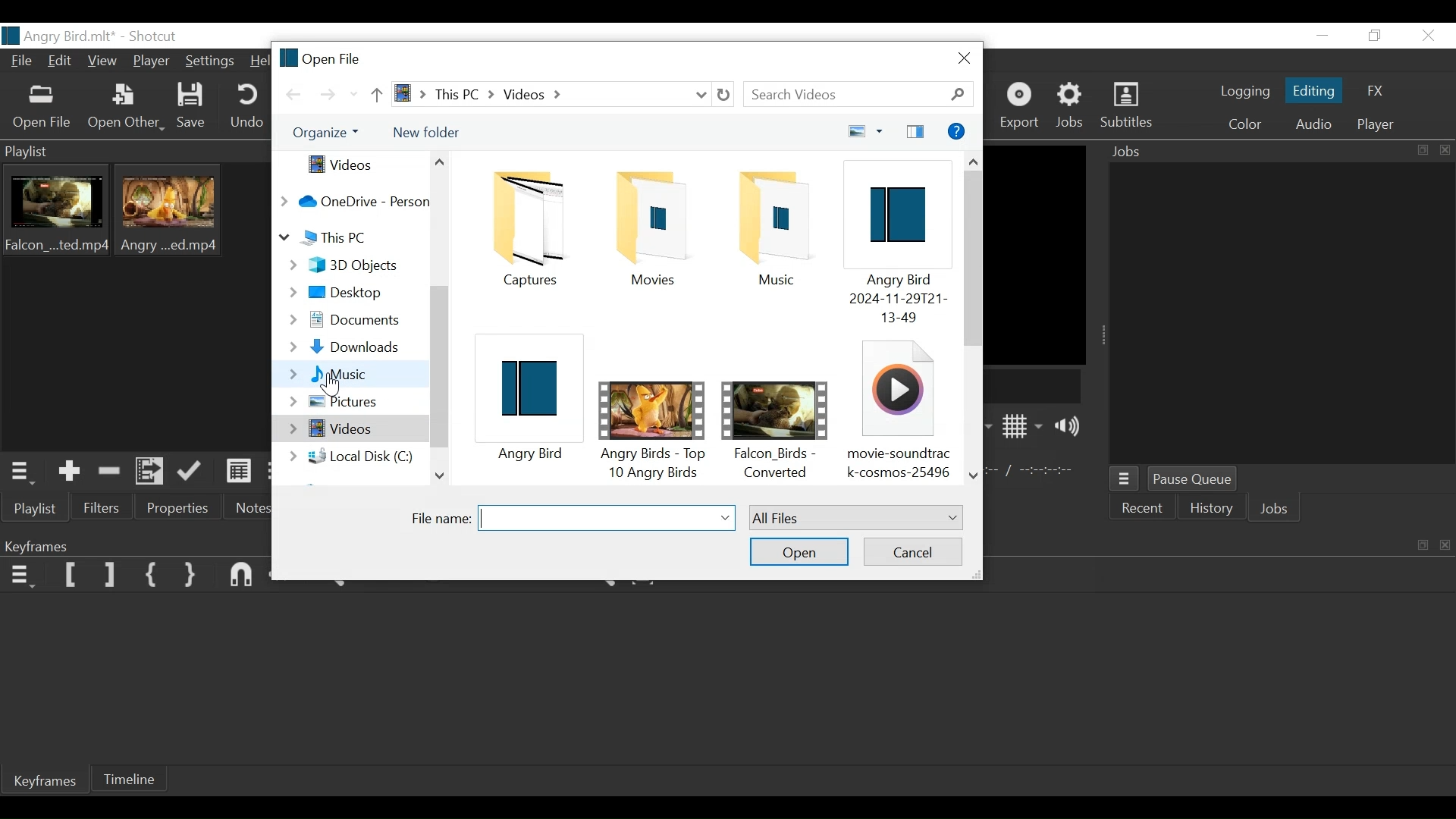 The image size is (1456, 819). Describe the element at coordinates (18, 62) in the screenshot. I see `File` at that location.